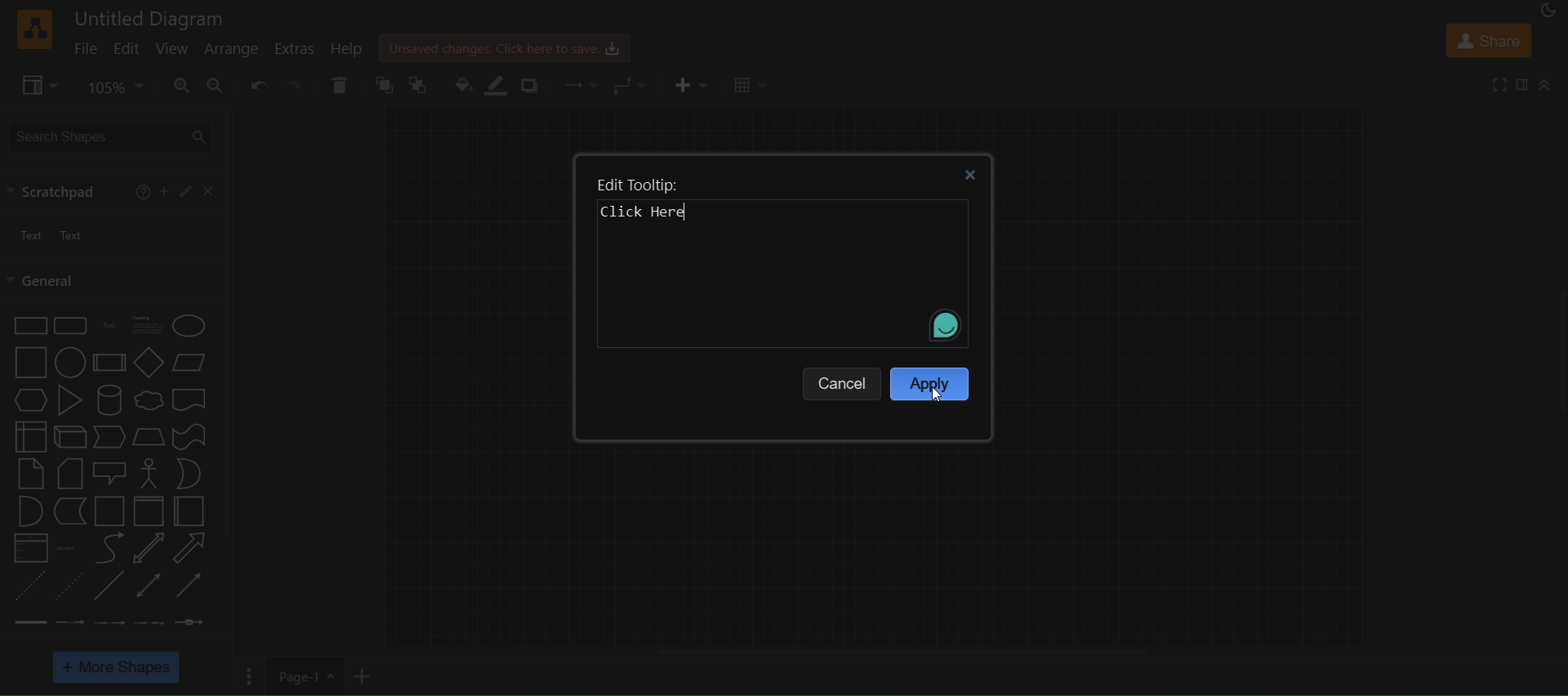  I want to click on and, so click(28, 511).